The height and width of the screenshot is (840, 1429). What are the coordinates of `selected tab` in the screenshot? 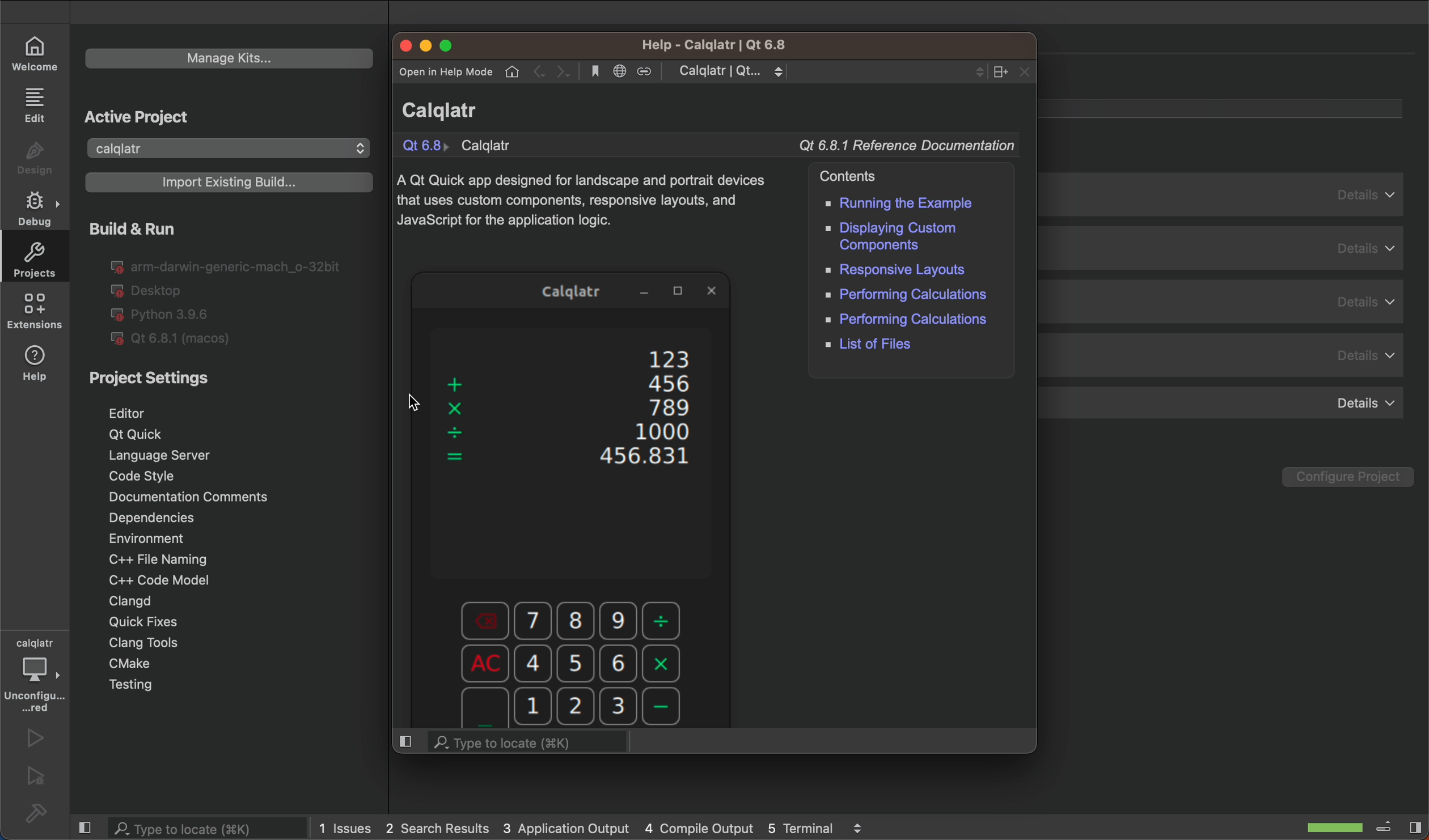 It's located at (219, 226).